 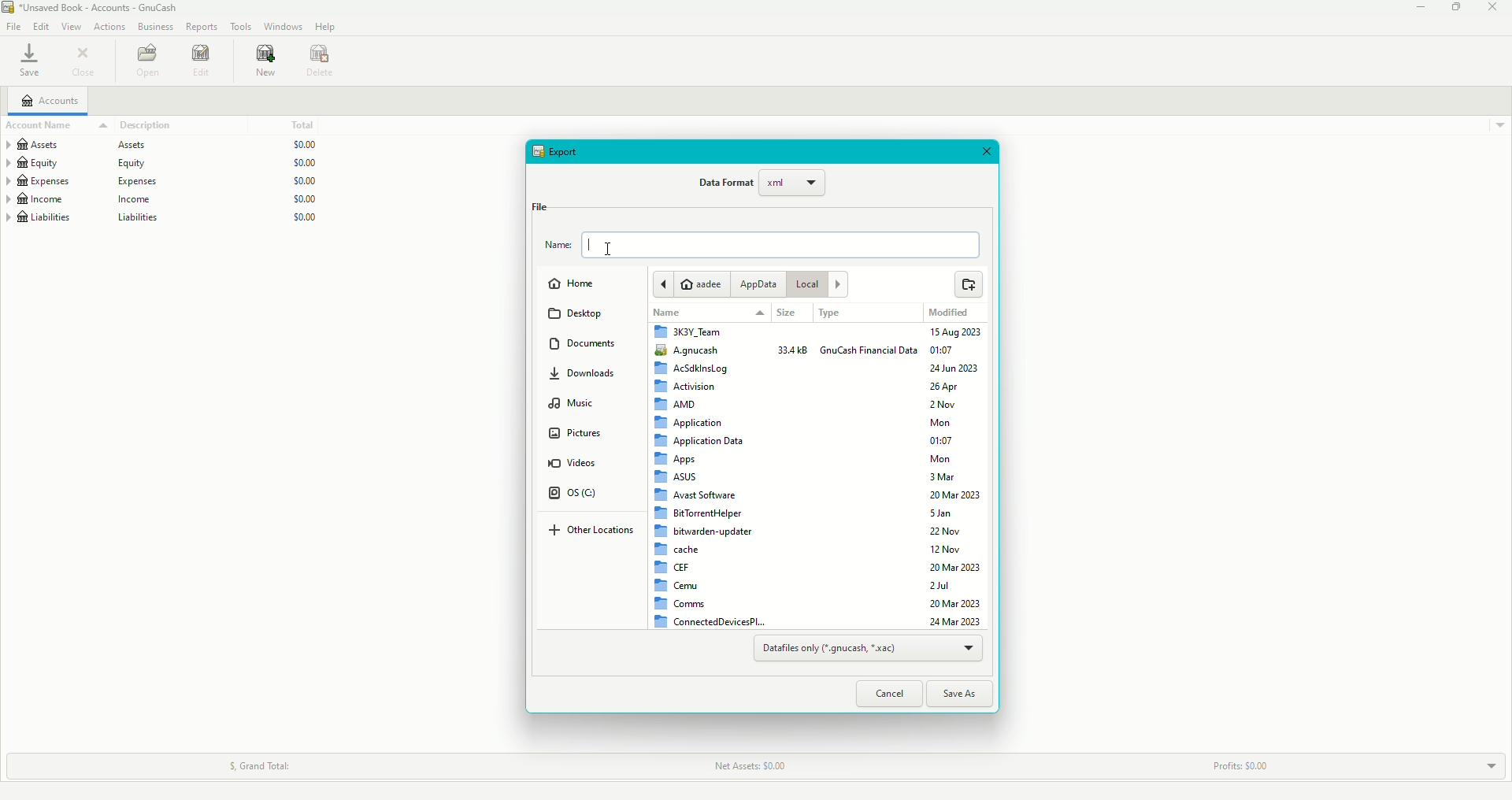 I want to click on Save, so click(x=31, y=61).